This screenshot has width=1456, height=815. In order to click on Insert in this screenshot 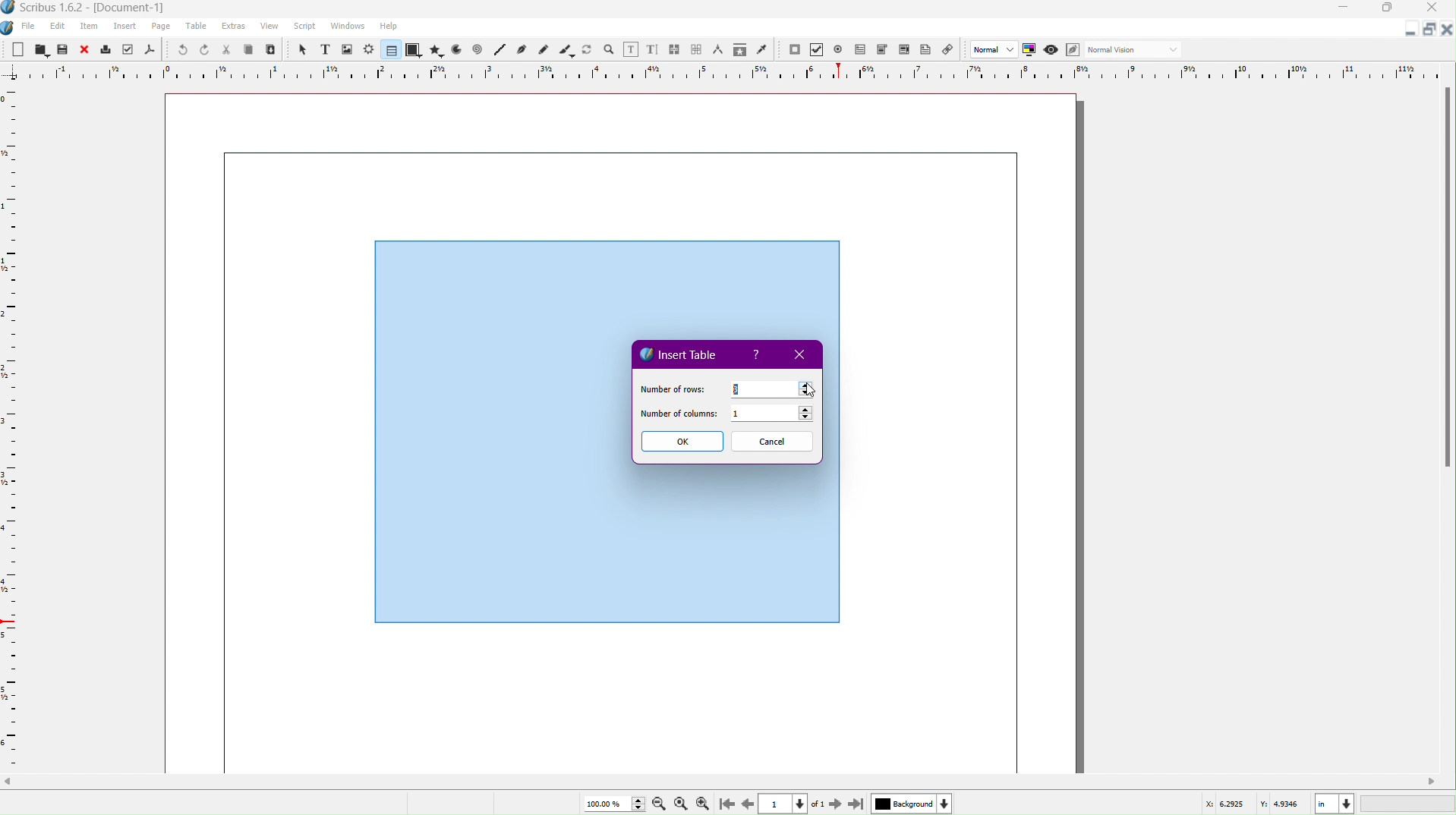, I will do `click(125, 27)`.